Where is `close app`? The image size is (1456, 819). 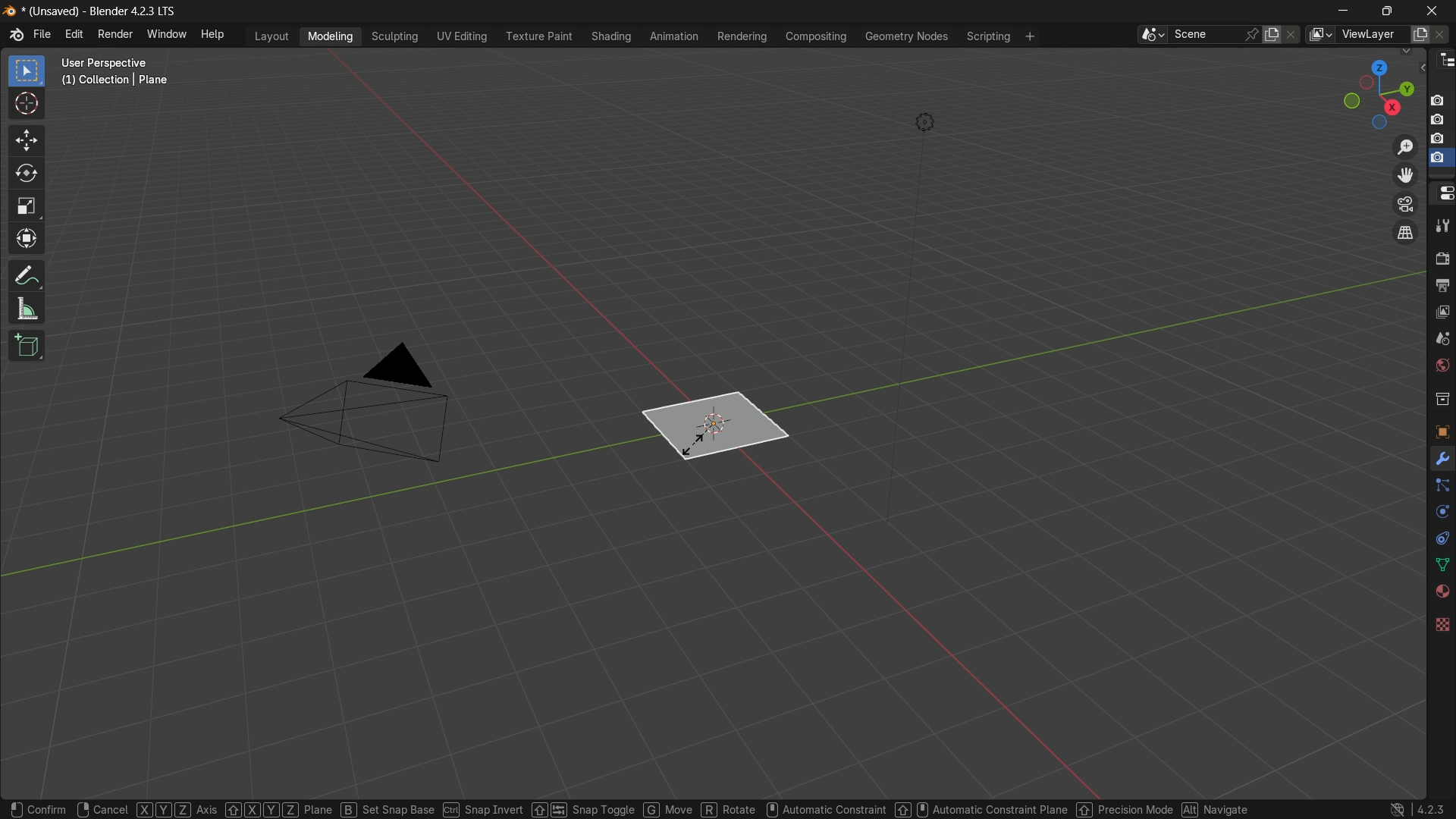 close app is located at coordinates (1434, 11).